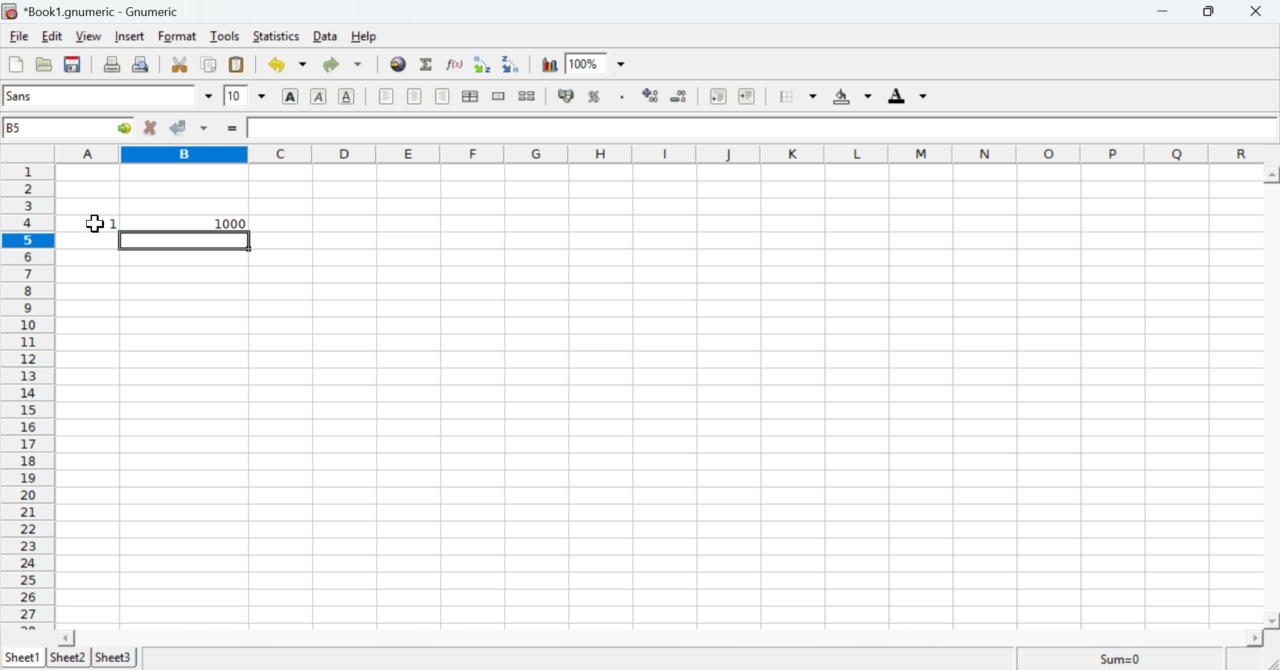  What do you see at coordinates (386, 97) in the screenshot?
I see `Align Left` at bounding box center [386, 97].